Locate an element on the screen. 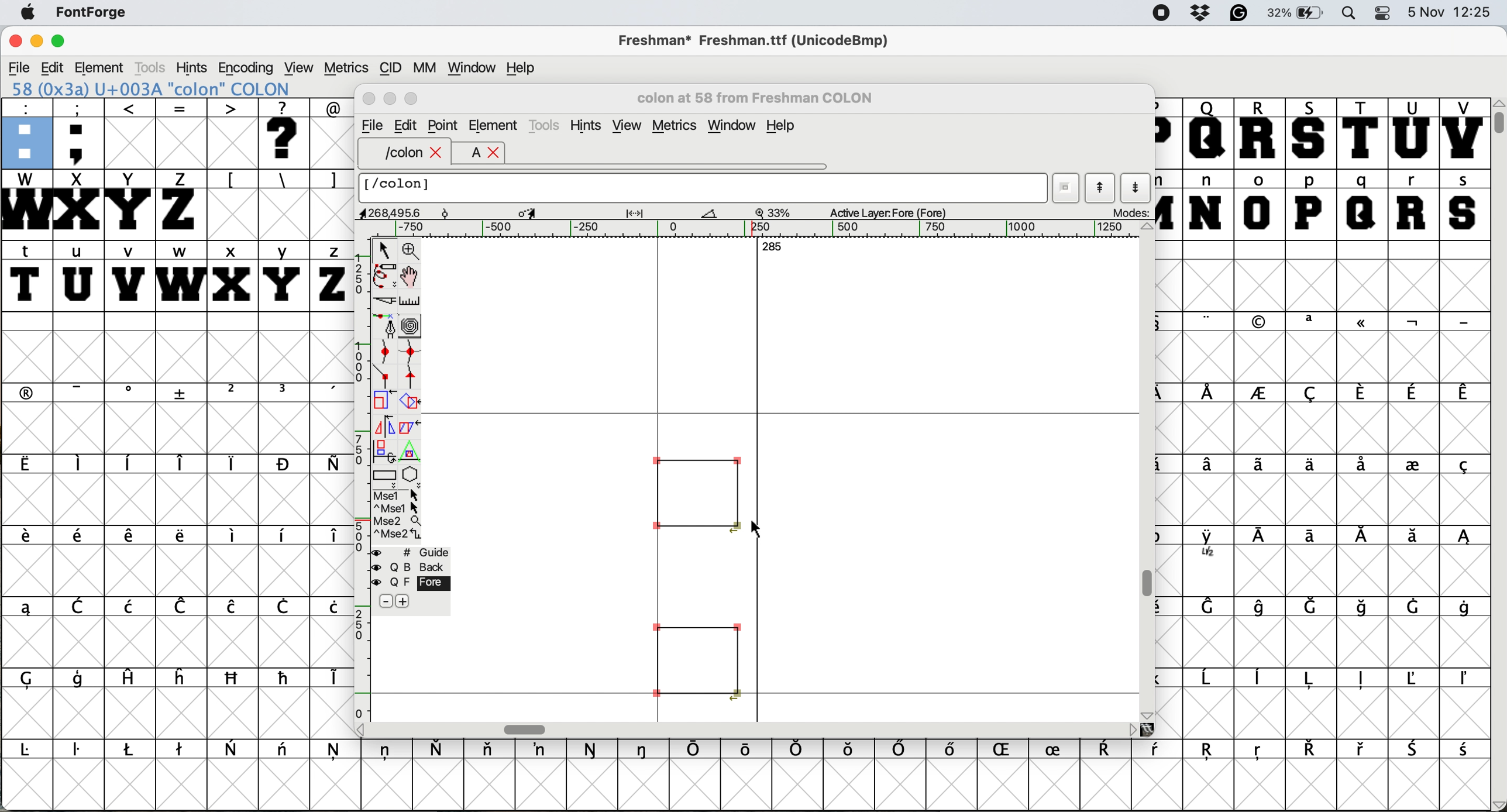 The height and width of the screenshot is (812, 1507). symbol is located at coordinates (955, 752).